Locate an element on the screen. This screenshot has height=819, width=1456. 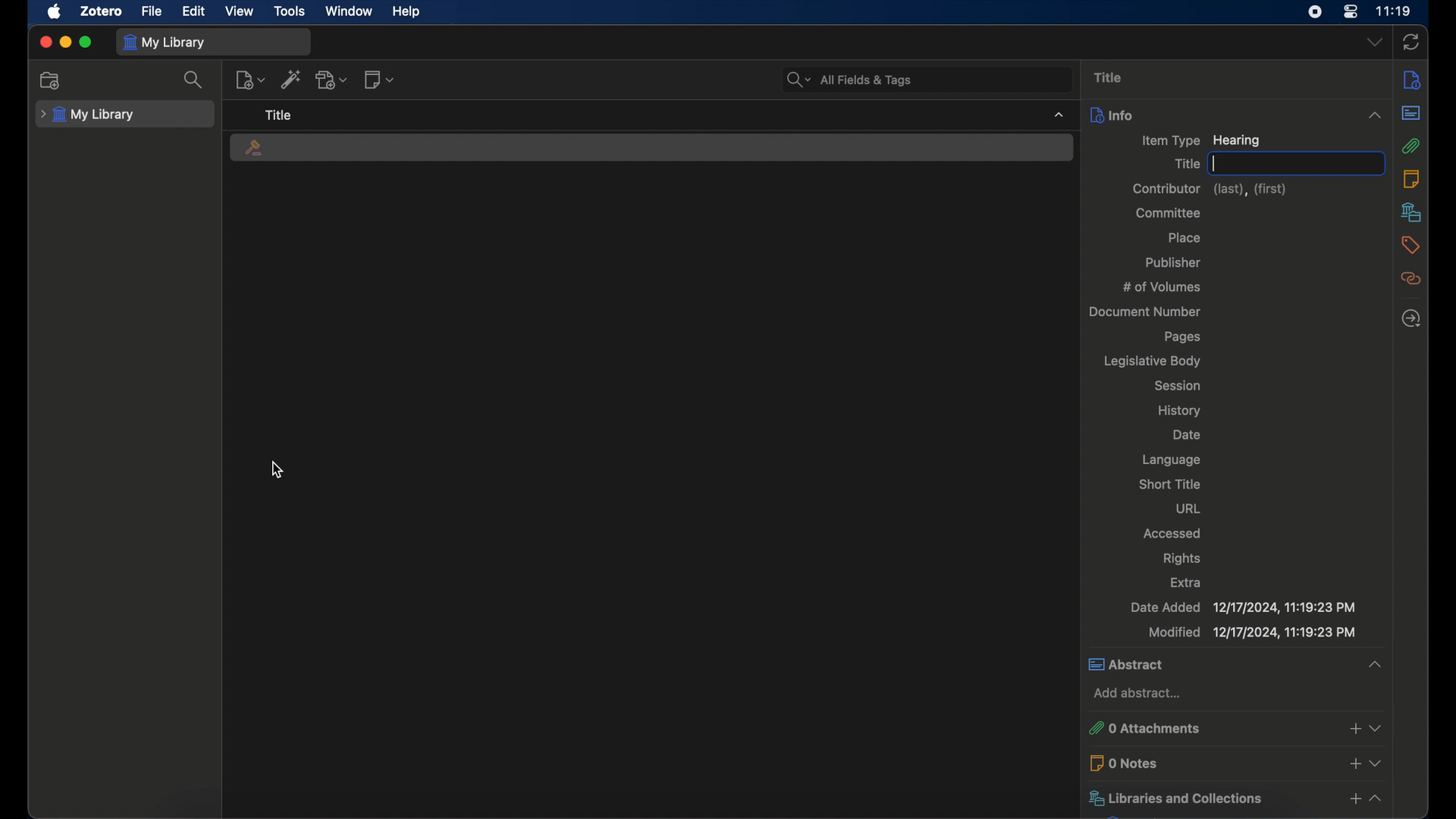
file is located at coordinates (152, 12).